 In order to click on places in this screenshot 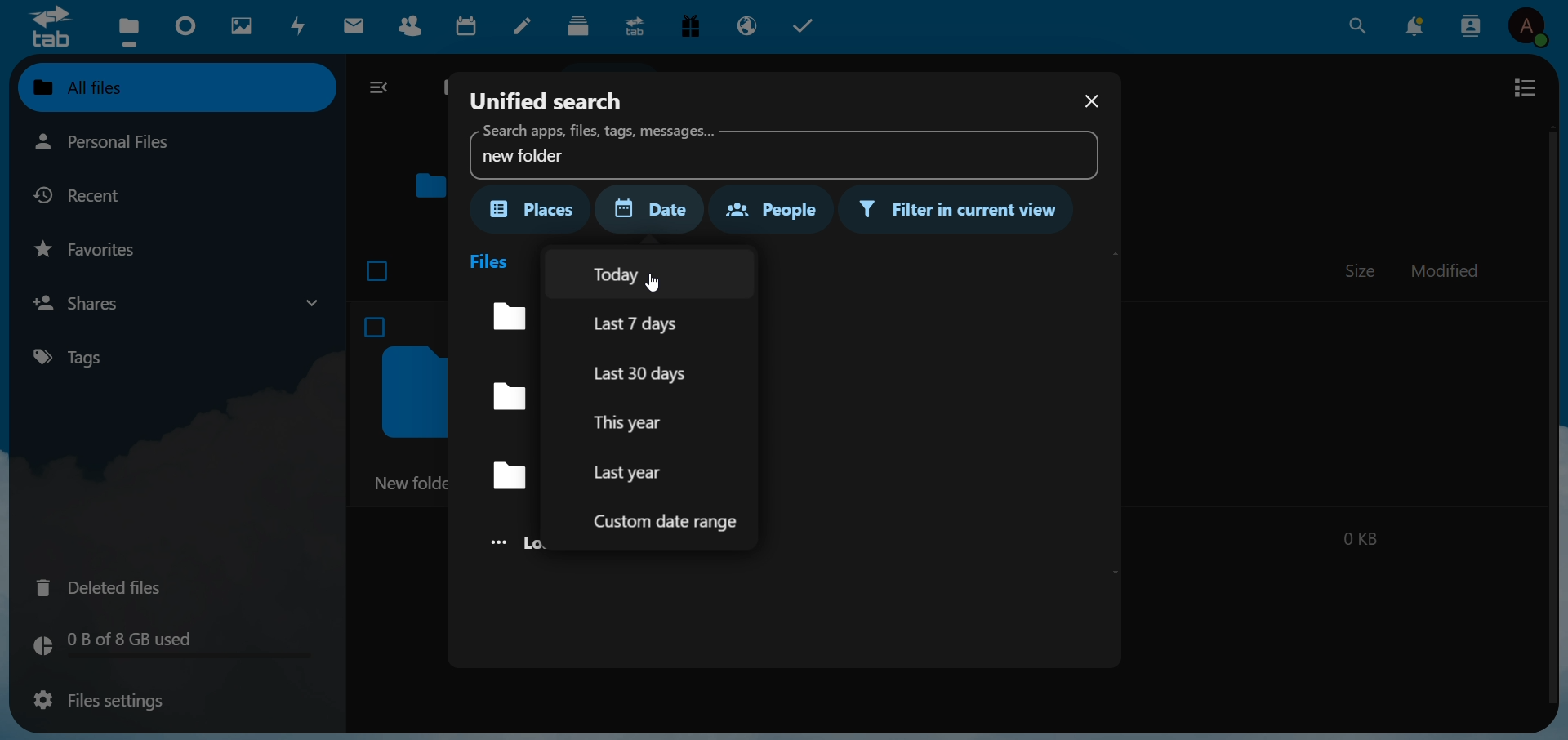, I will do `click(533, 209)`.